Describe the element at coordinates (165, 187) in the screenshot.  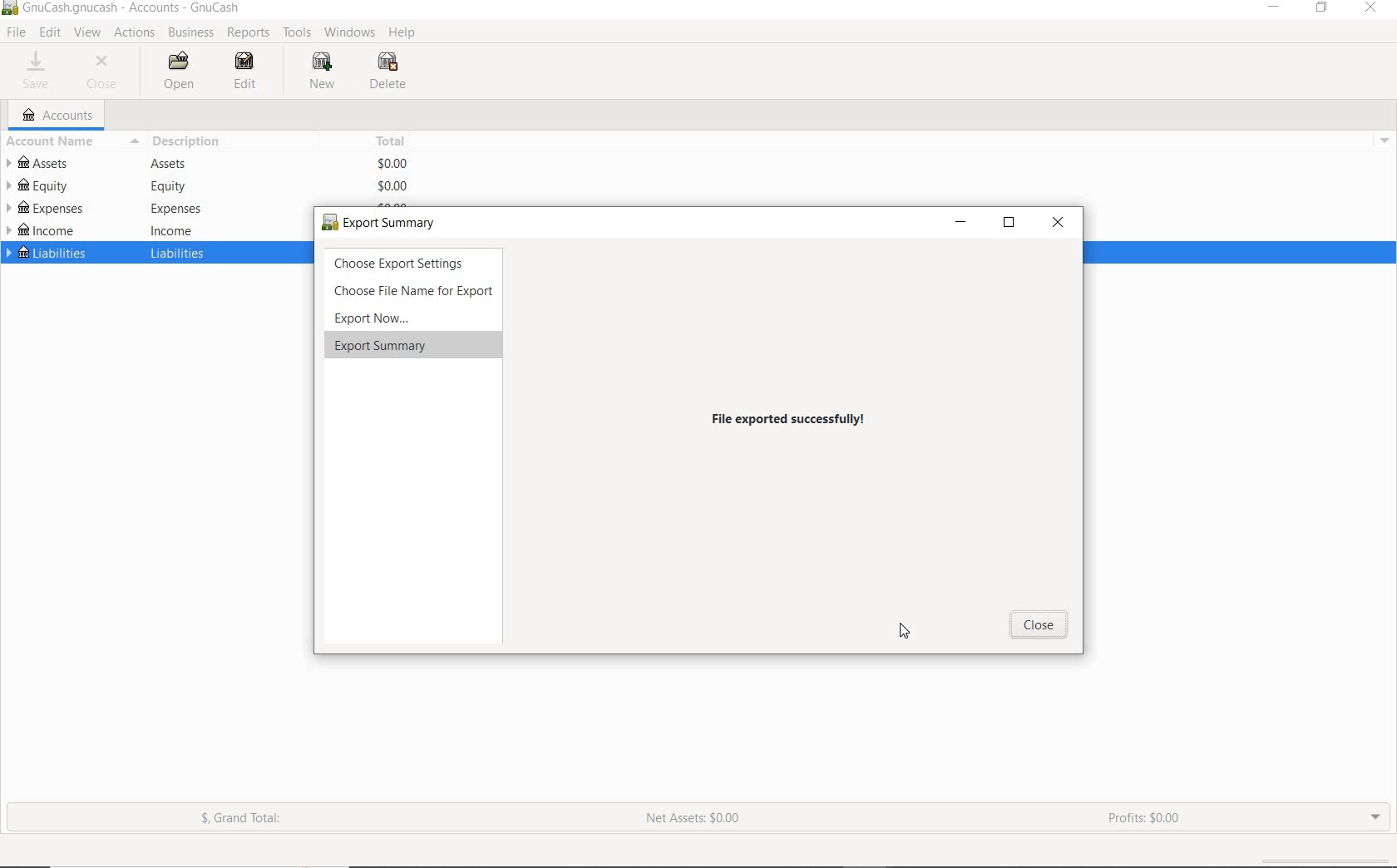
I see `equity` at that location.